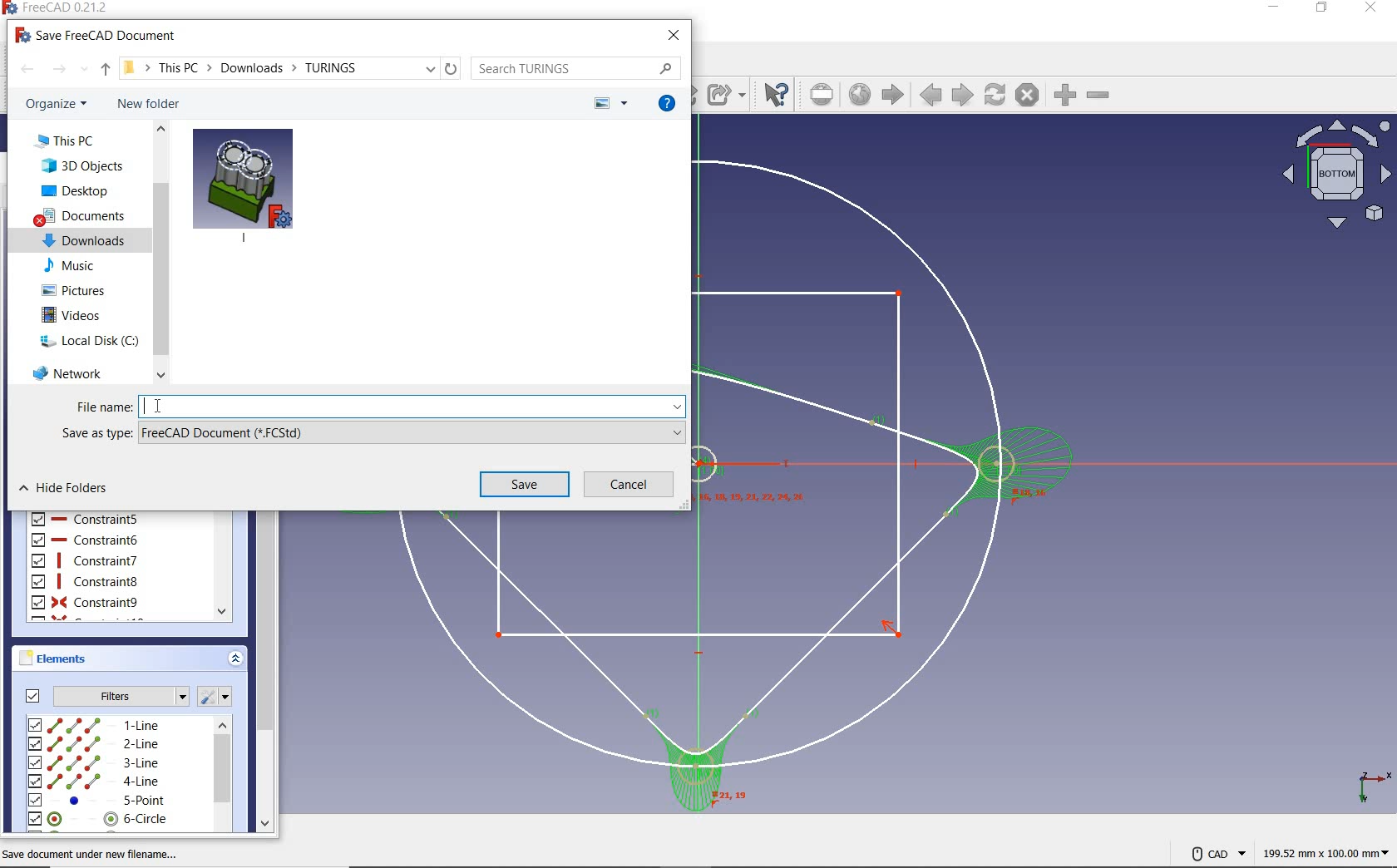  I want to click on make sub-link, so click(726, 94).